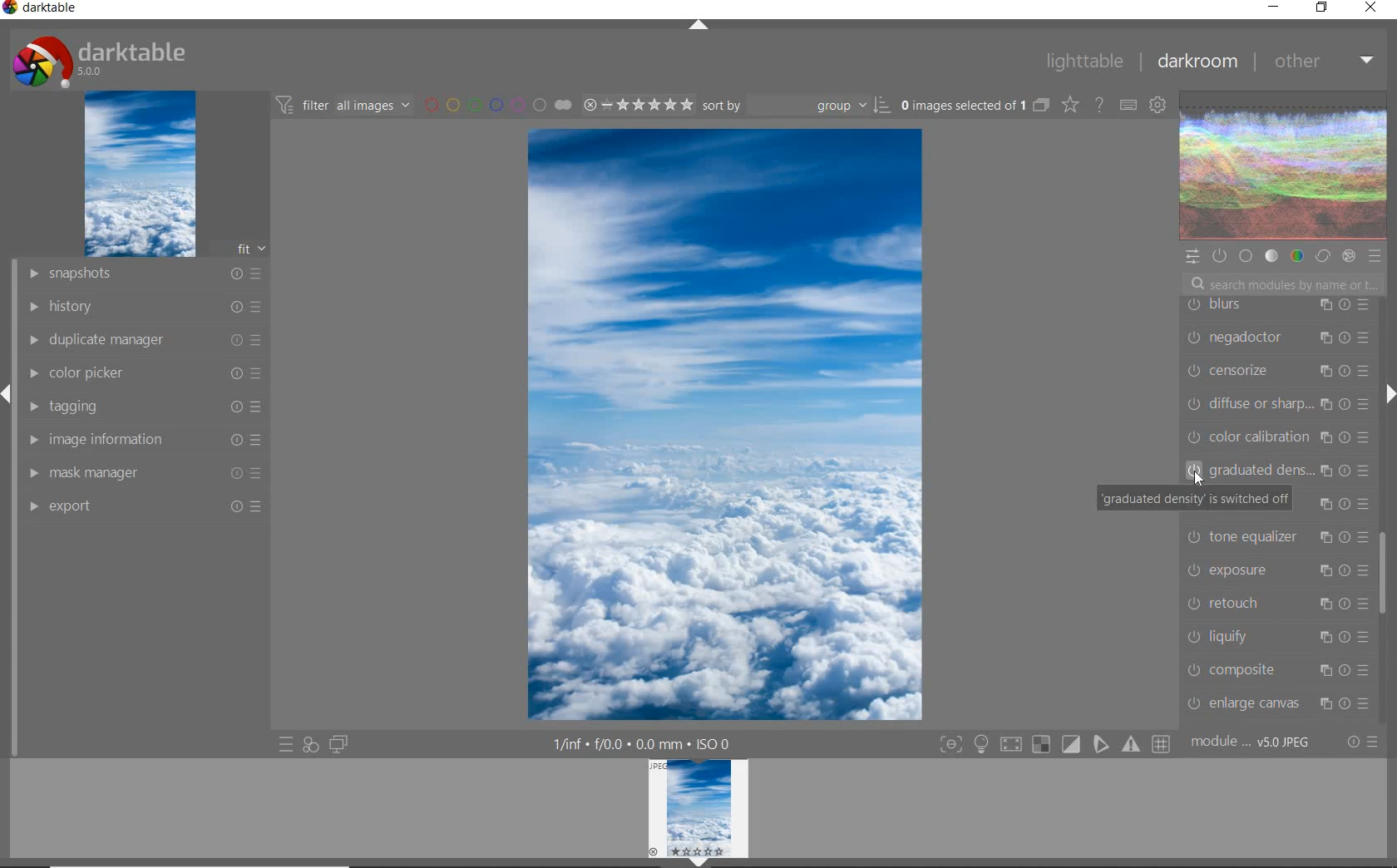 The width and height of the screenshot is (1397, 868). I want to click on COLLAPSE GROUPED IMAGES, so click(1042, 104).